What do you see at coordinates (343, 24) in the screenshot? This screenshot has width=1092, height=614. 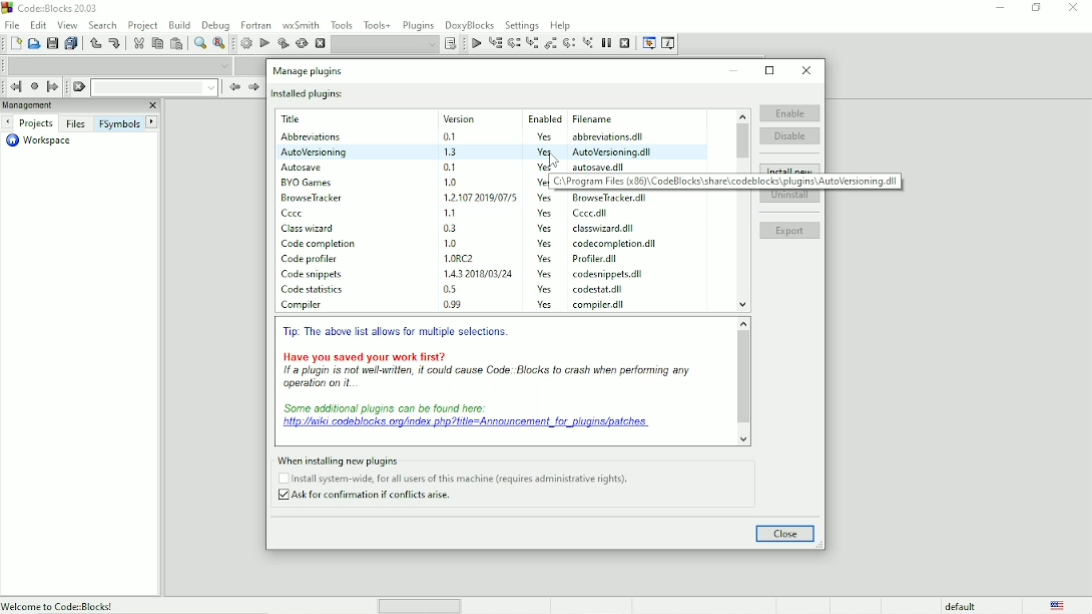 I see `Tools` at bounding box center [343, 24].